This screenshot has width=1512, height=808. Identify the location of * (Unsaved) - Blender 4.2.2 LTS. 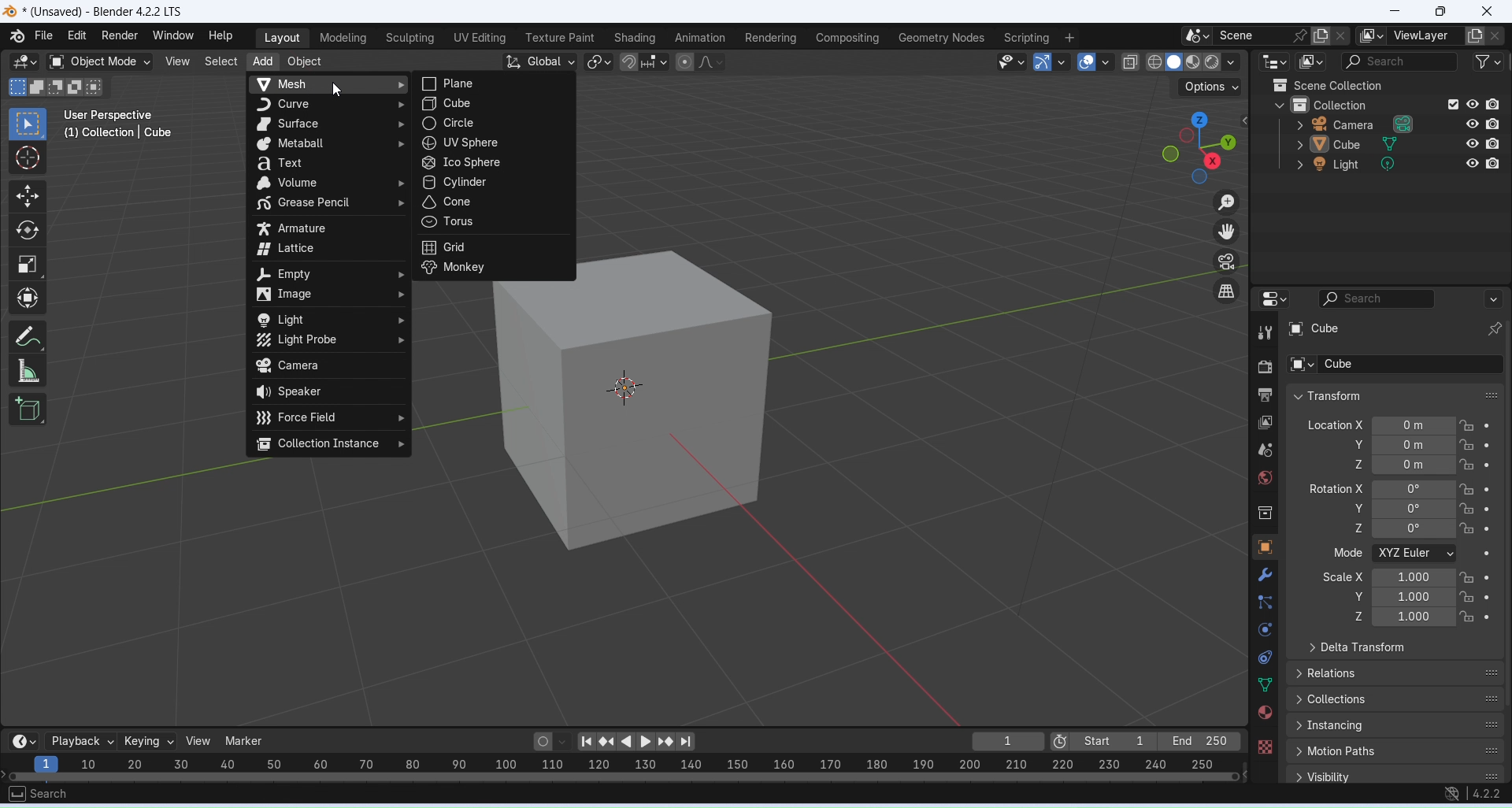
(106, 12).